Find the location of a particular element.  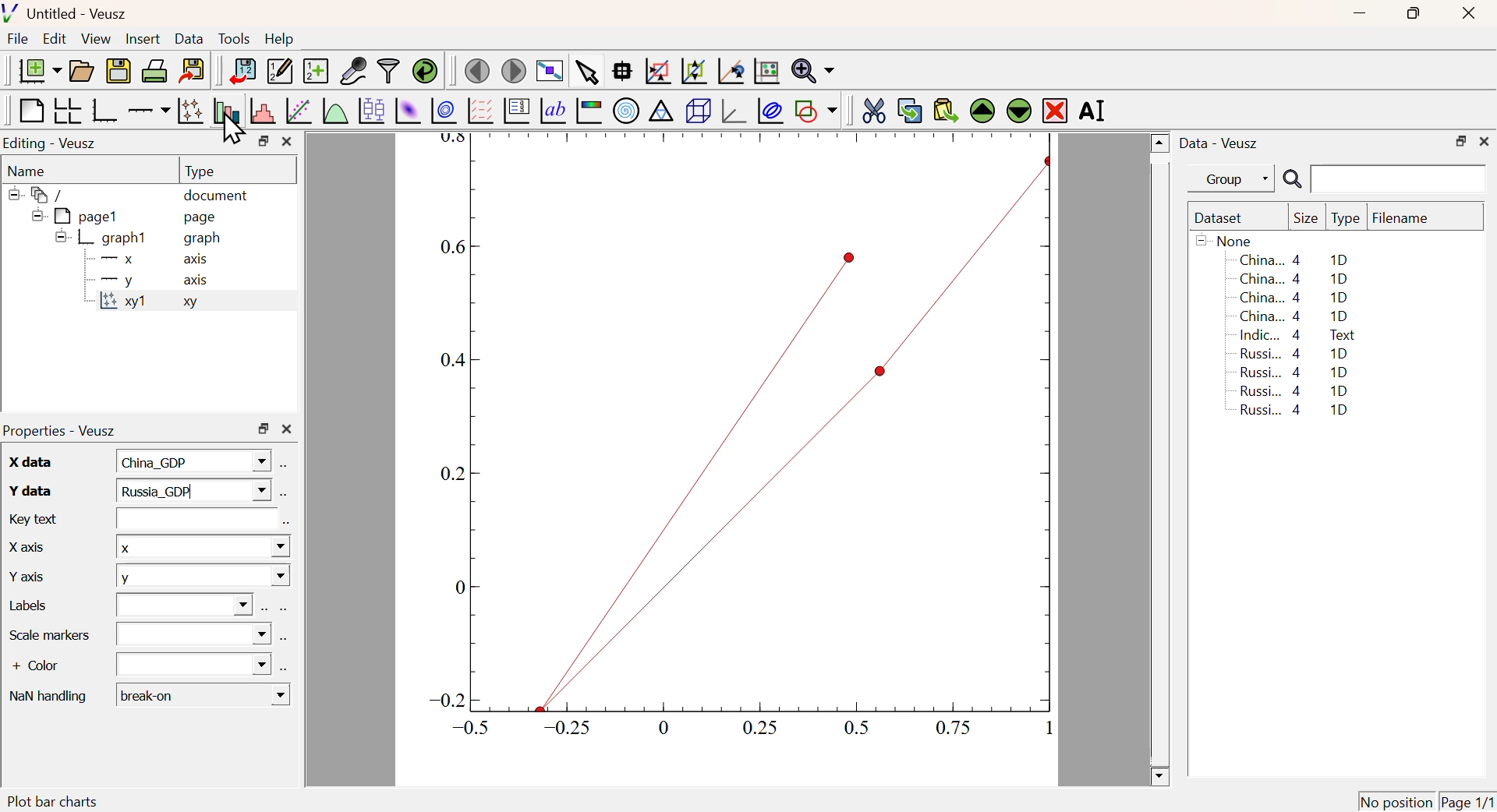

Select items from graph or scroll is located at coordinates (586, 75).